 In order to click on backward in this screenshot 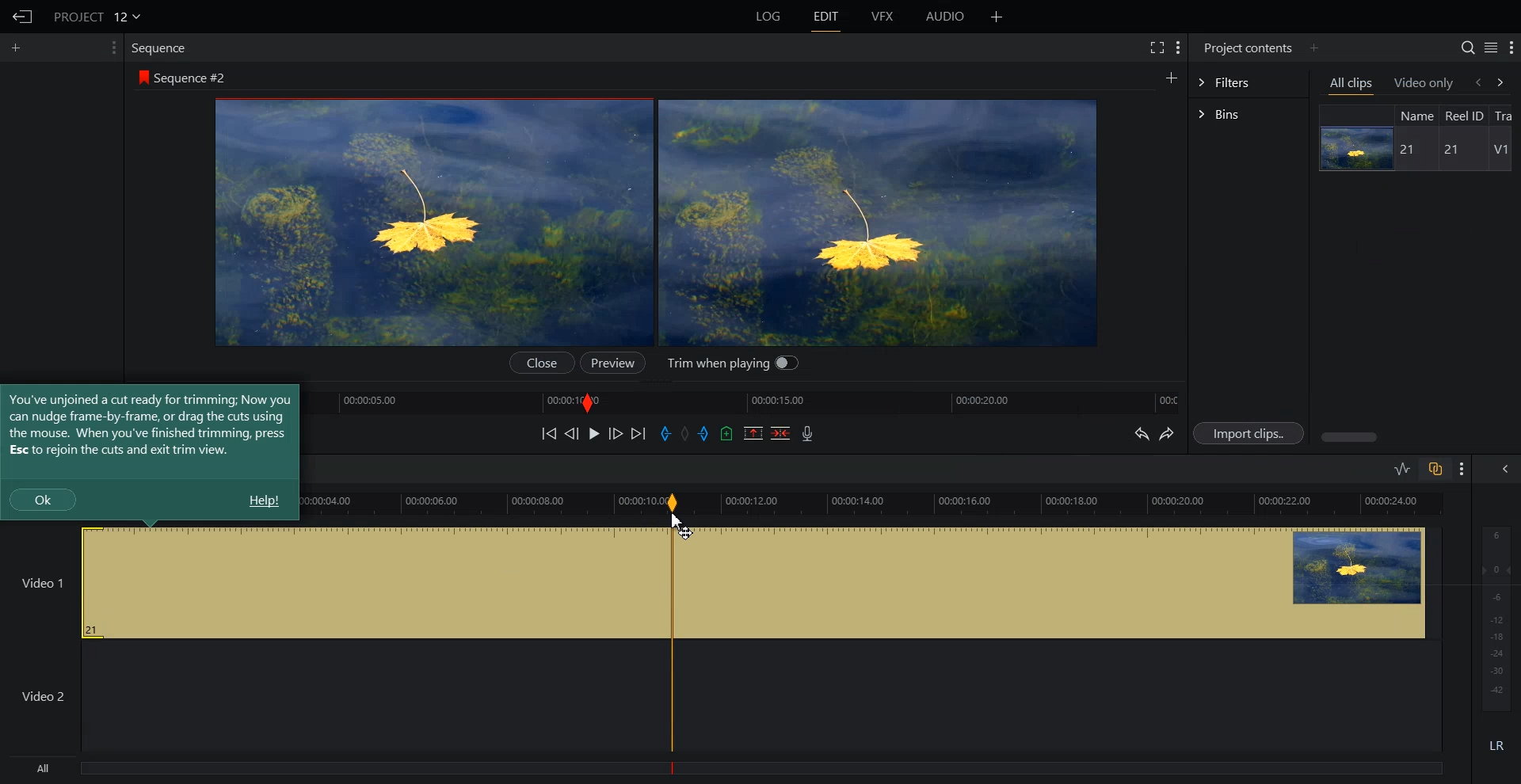, I will do `click(1477, 82)`.